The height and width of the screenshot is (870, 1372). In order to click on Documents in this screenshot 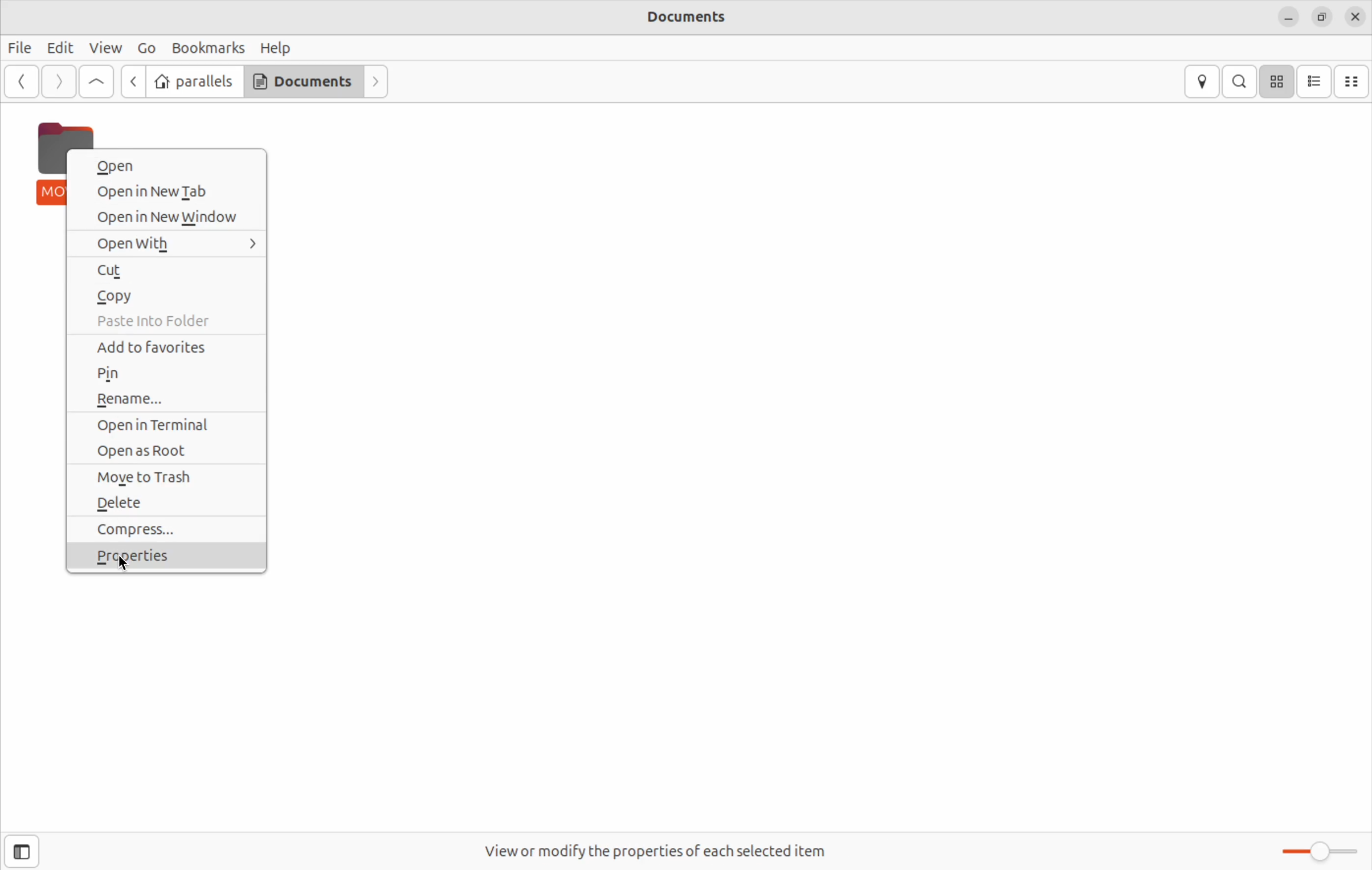, I will do `click(303, 80)`.